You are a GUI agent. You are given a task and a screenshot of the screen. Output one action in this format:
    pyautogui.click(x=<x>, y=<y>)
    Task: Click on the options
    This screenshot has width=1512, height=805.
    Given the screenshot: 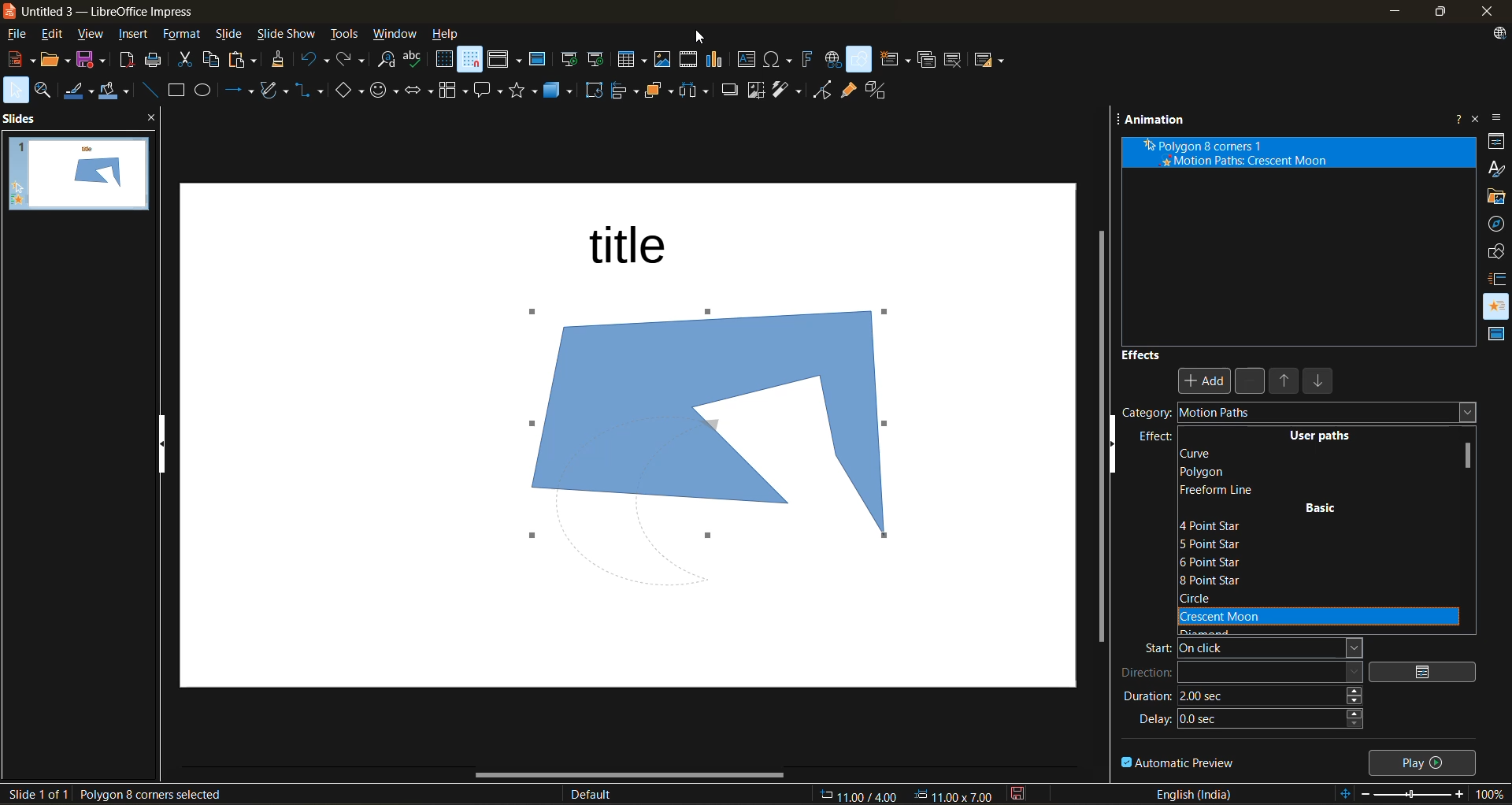 What is the action you would take?
    pyautogui.click(x=1426, y=672)
    